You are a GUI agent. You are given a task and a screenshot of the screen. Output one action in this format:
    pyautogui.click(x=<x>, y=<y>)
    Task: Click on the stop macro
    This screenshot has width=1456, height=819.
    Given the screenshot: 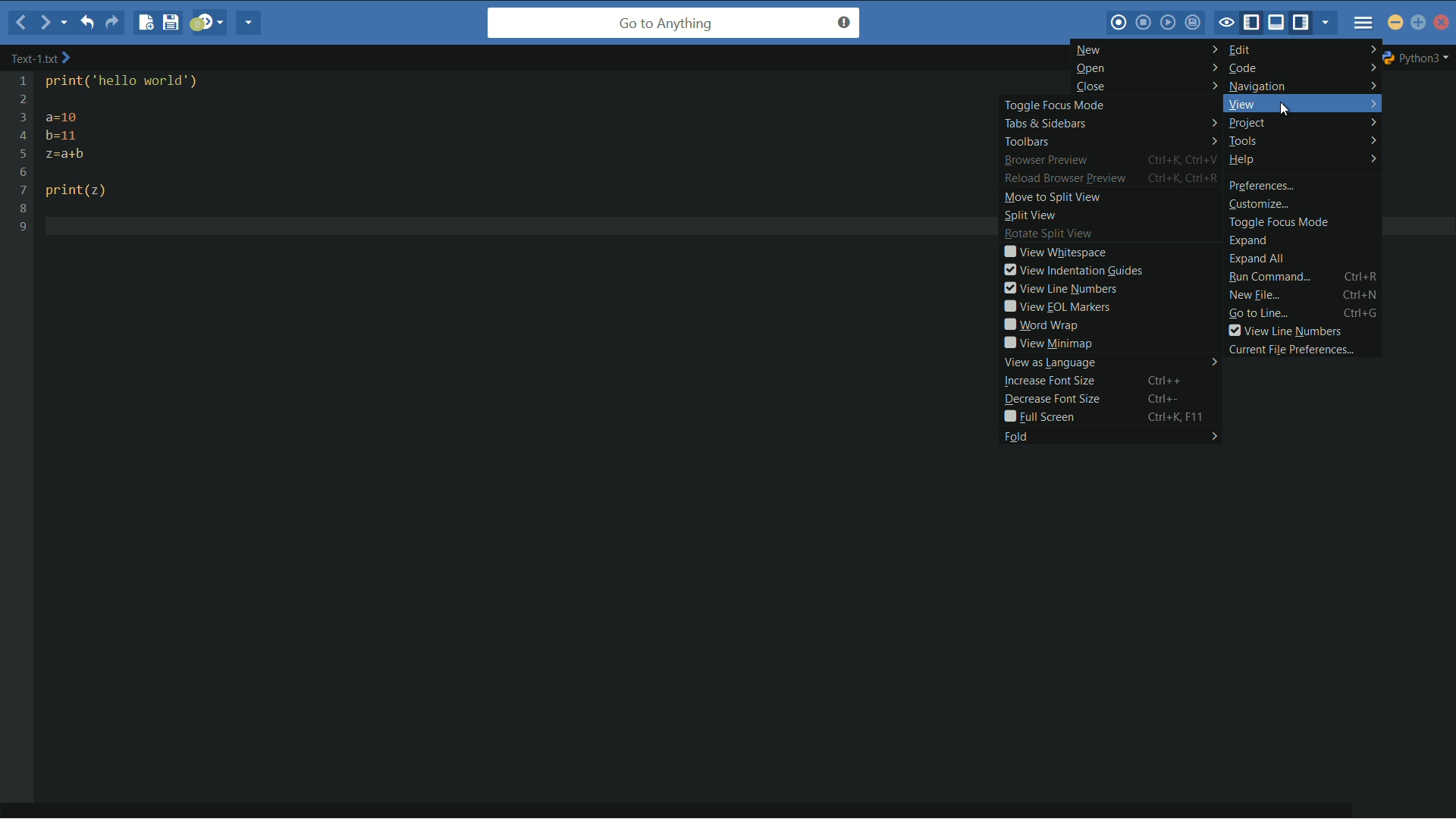 What is the action you would take?
    pyautogui.click(x=1145, y=24)
    